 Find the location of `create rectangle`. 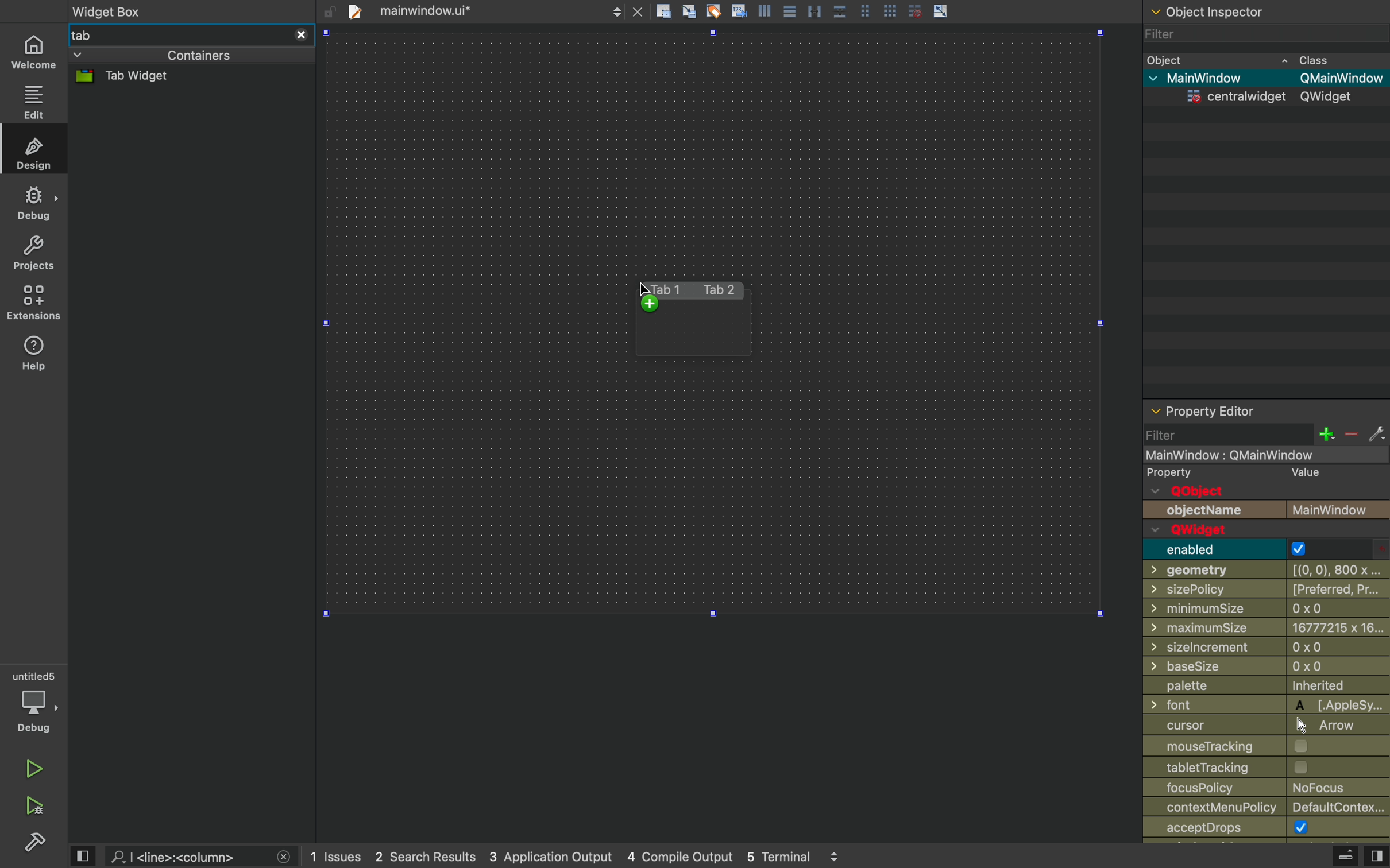

create rectangle is located at coordinates (663, 10).